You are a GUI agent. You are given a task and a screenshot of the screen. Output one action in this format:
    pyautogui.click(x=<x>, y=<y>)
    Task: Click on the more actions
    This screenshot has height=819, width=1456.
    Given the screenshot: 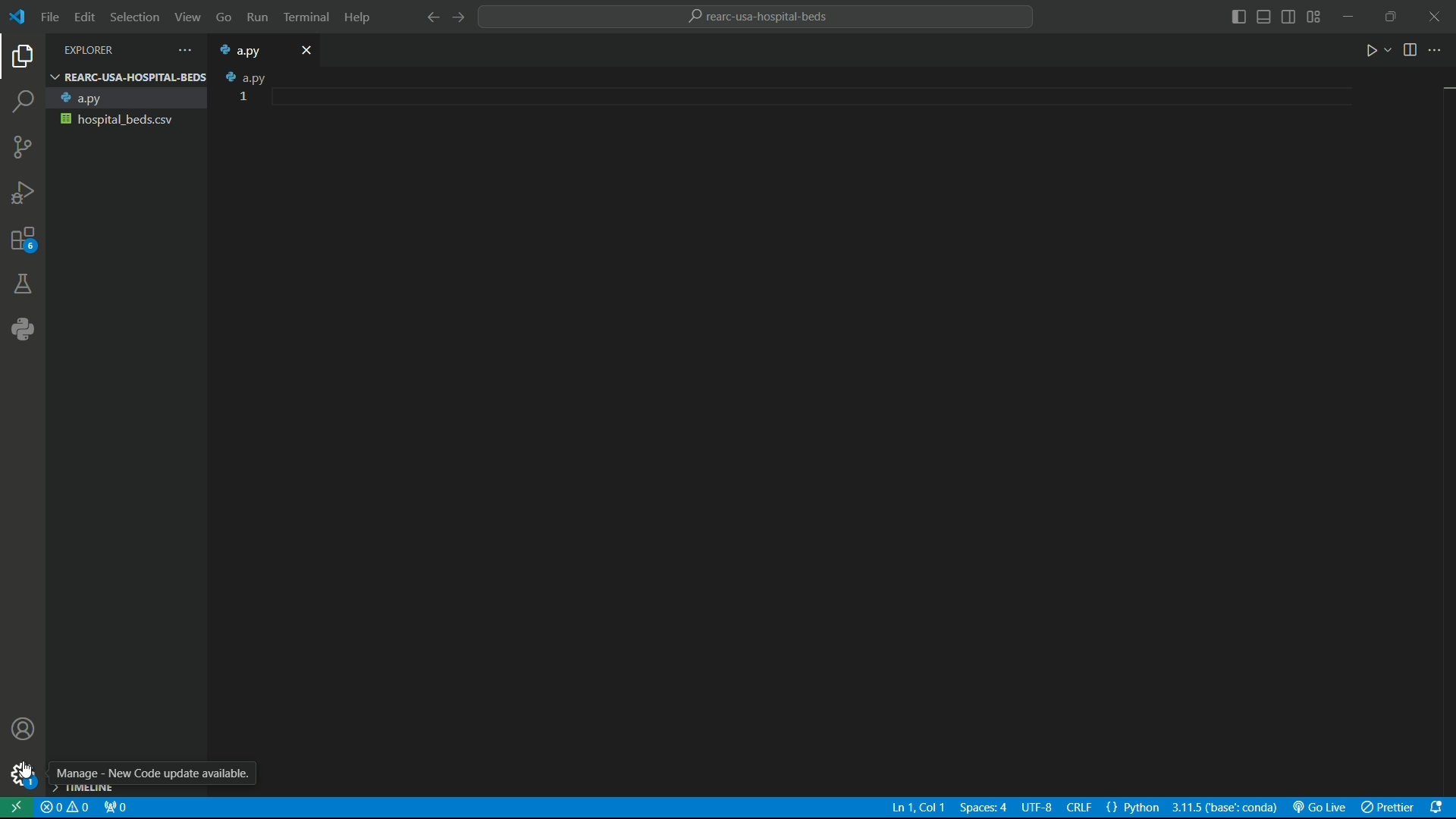 What is the action you would take?
    pyautogui.click(x=1437, y=50)
    